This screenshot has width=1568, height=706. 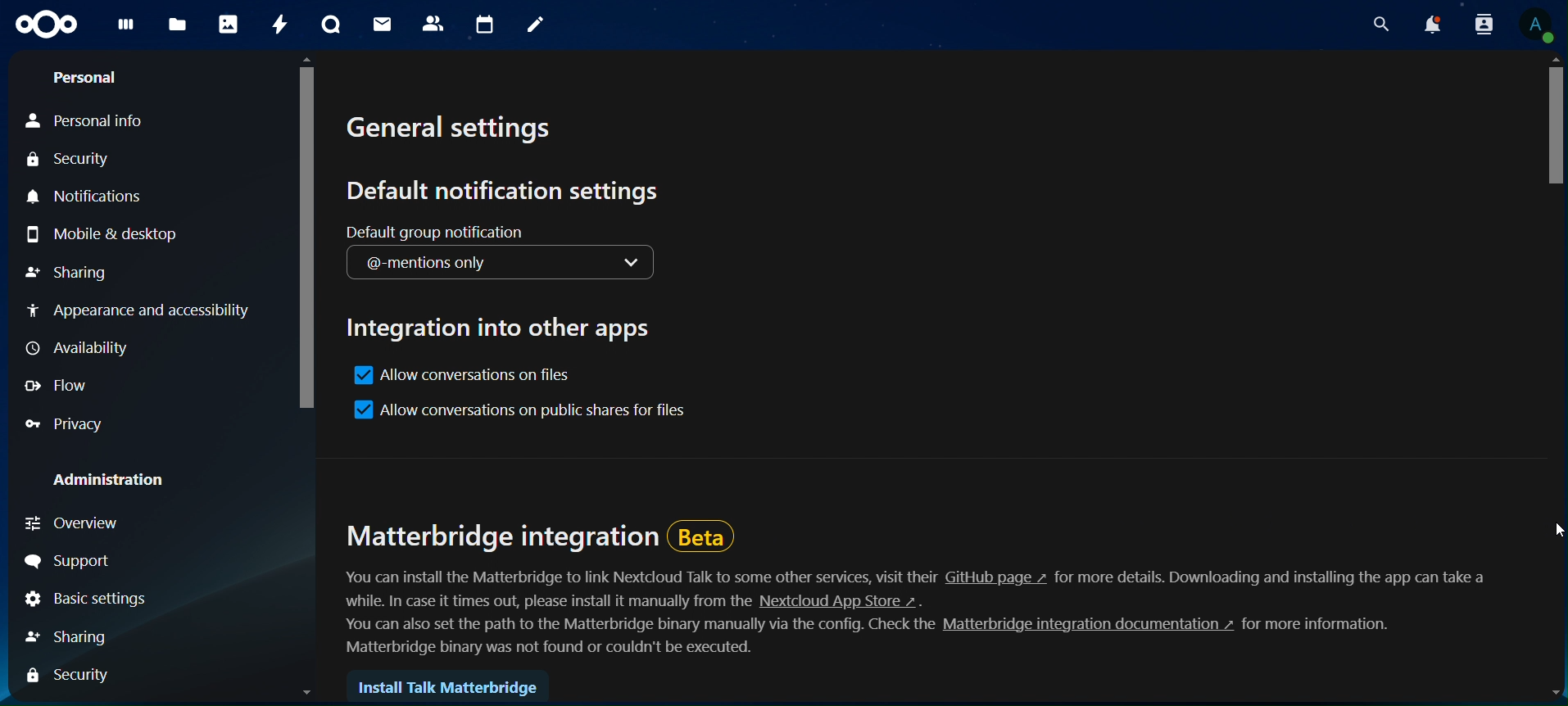 I want to click on contacts, so click(x=433, y=23).